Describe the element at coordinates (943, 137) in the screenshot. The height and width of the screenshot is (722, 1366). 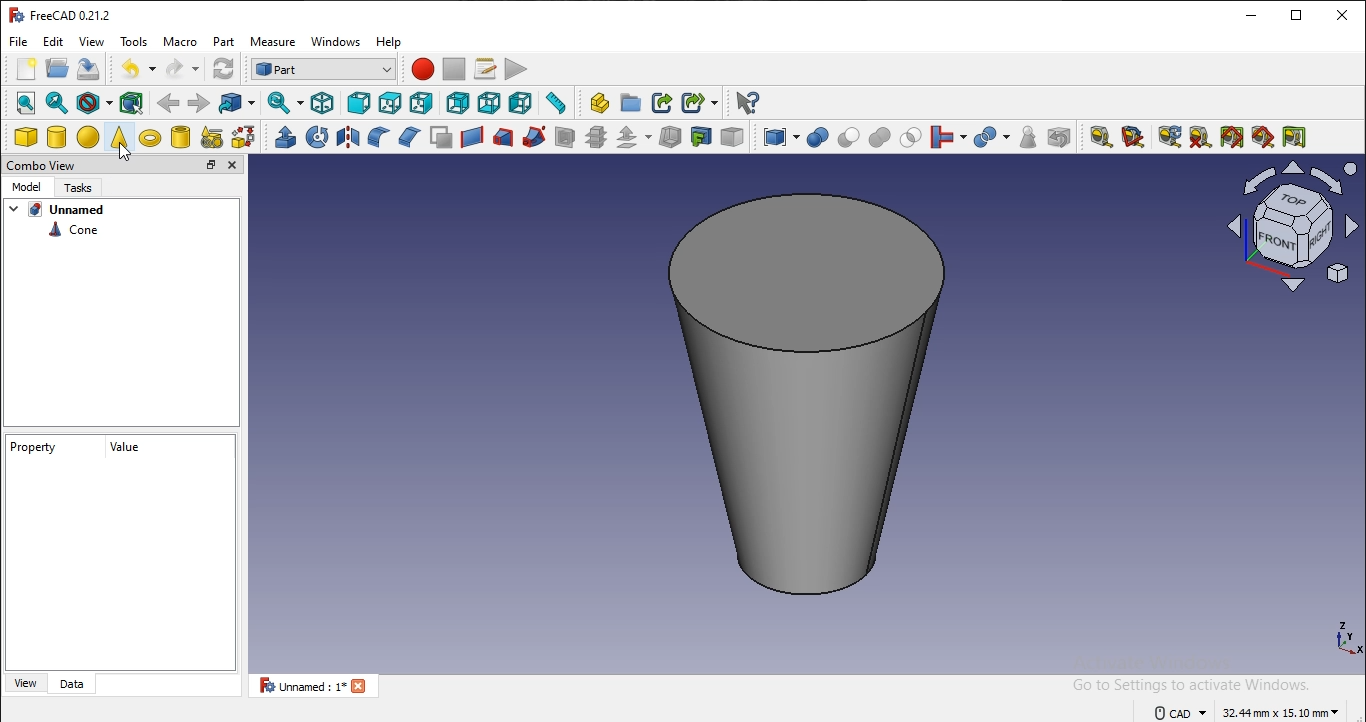
I see `join objects` at that location.